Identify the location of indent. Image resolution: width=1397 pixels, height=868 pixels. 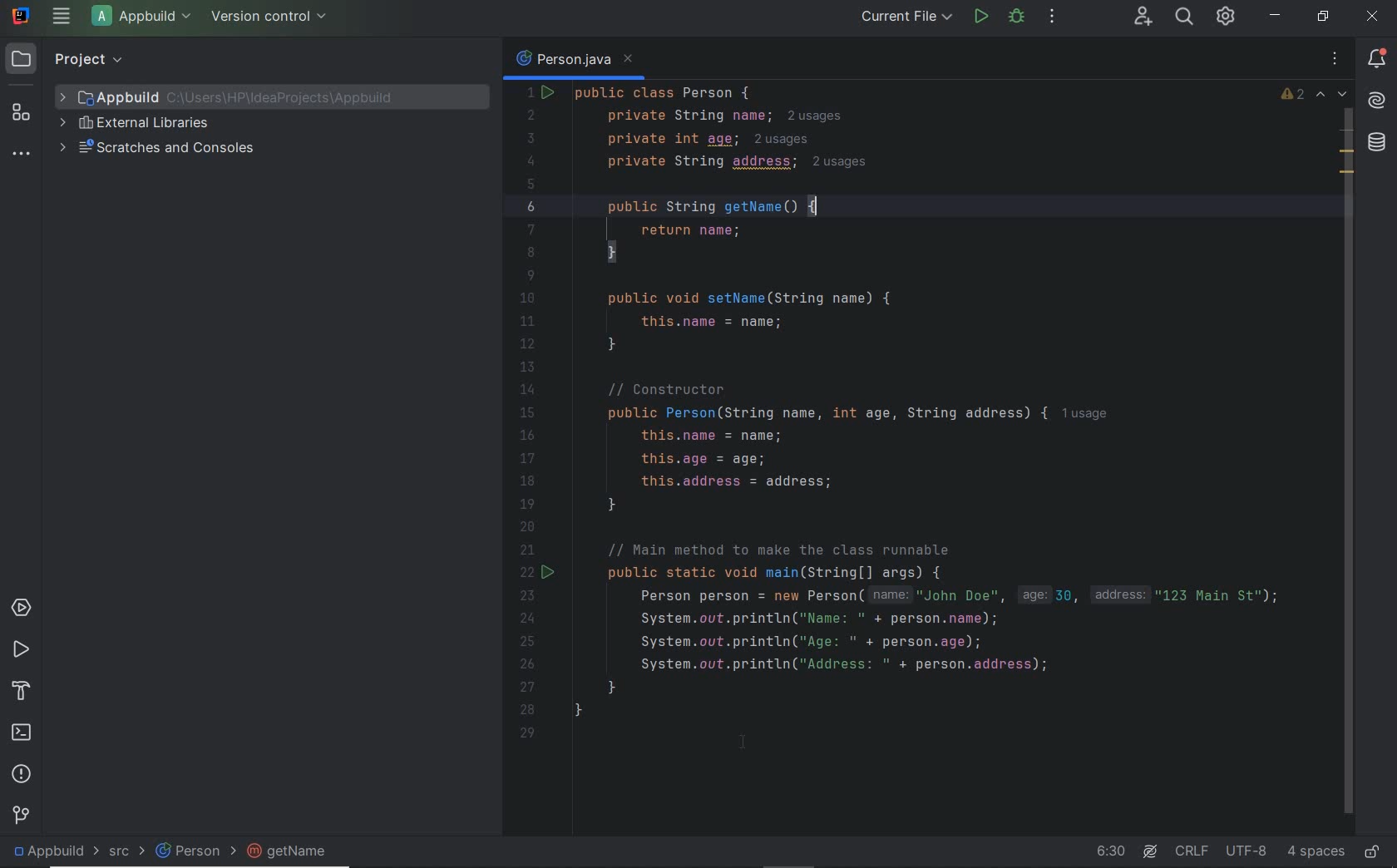
(1315, 851).